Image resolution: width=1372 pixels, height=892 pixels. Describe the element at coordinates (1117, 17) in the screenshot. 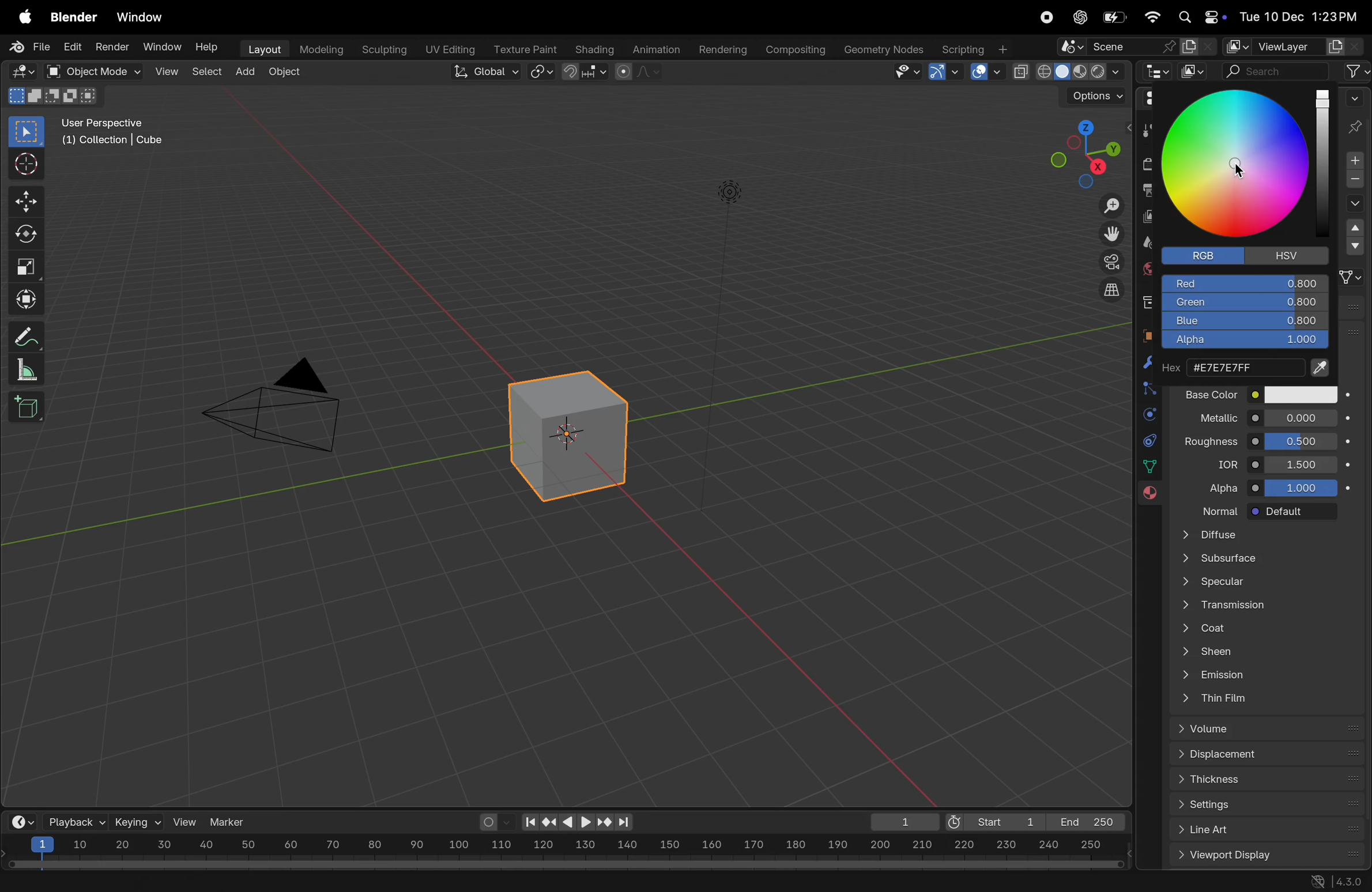

I see `battery` at that location.